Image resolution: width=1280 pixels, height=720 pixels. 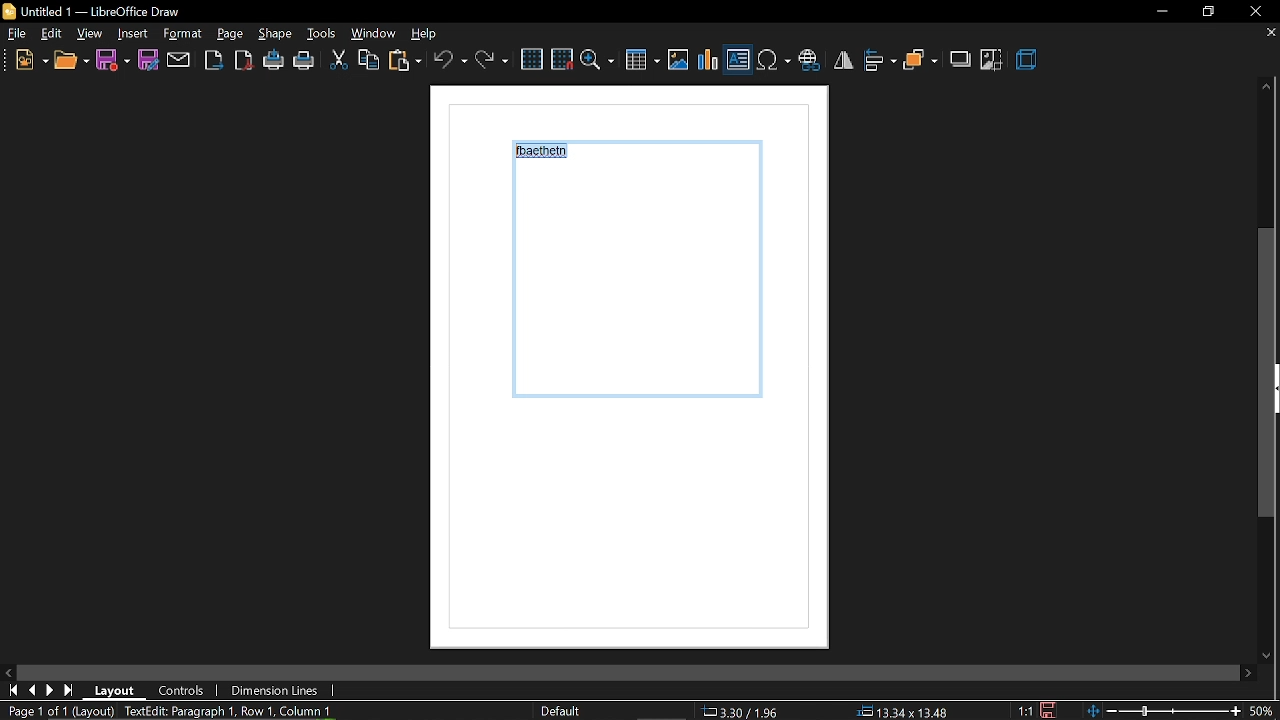 What do you see at coordinates (545, 154) in the screenshot?
I see `fbaethein` at bounding box center [545, 154].